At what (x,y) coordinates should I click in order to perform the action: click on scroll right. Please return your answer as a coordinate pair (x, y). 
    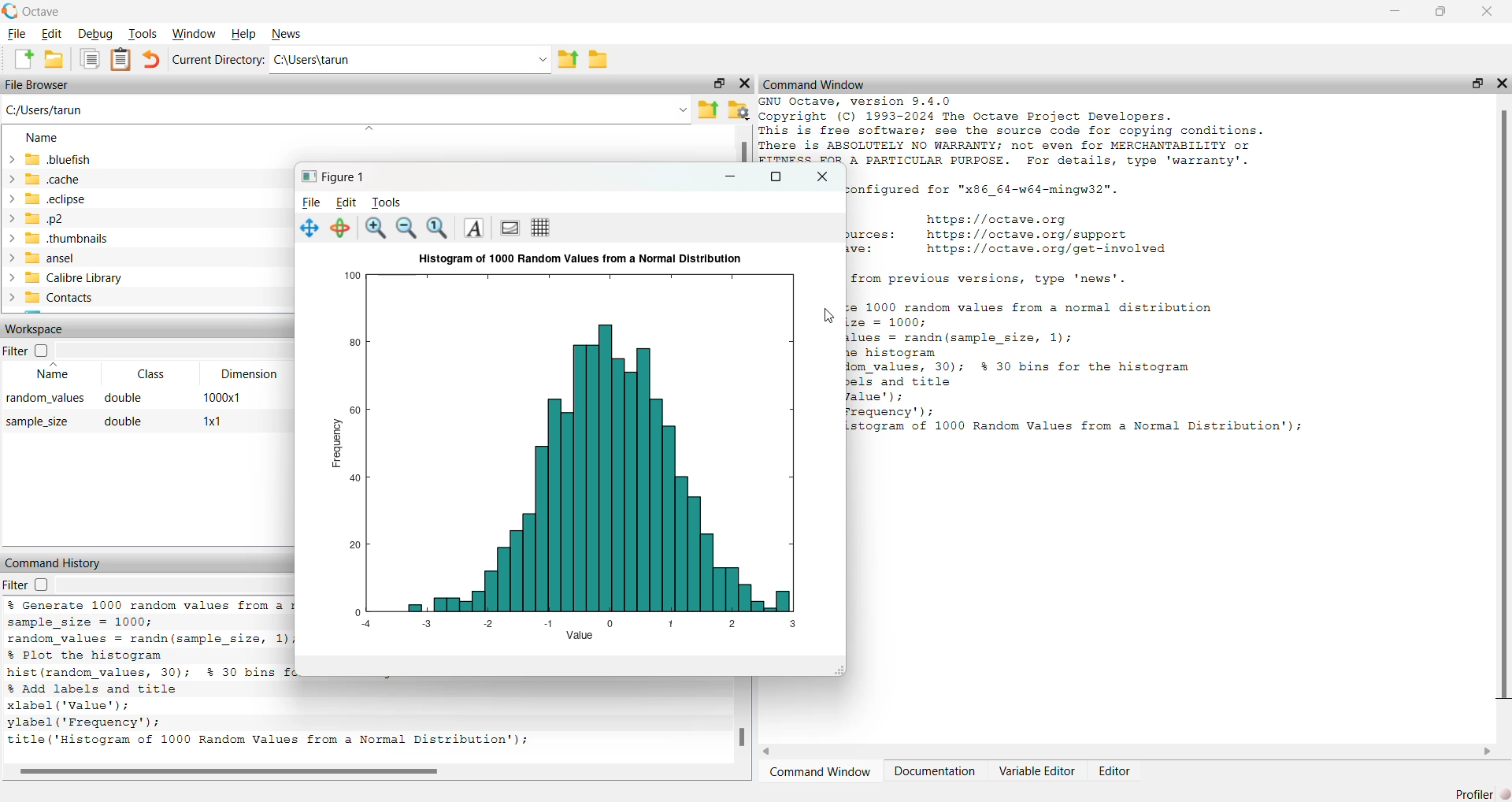
    Looking at the image, I should click on (1487, 751).